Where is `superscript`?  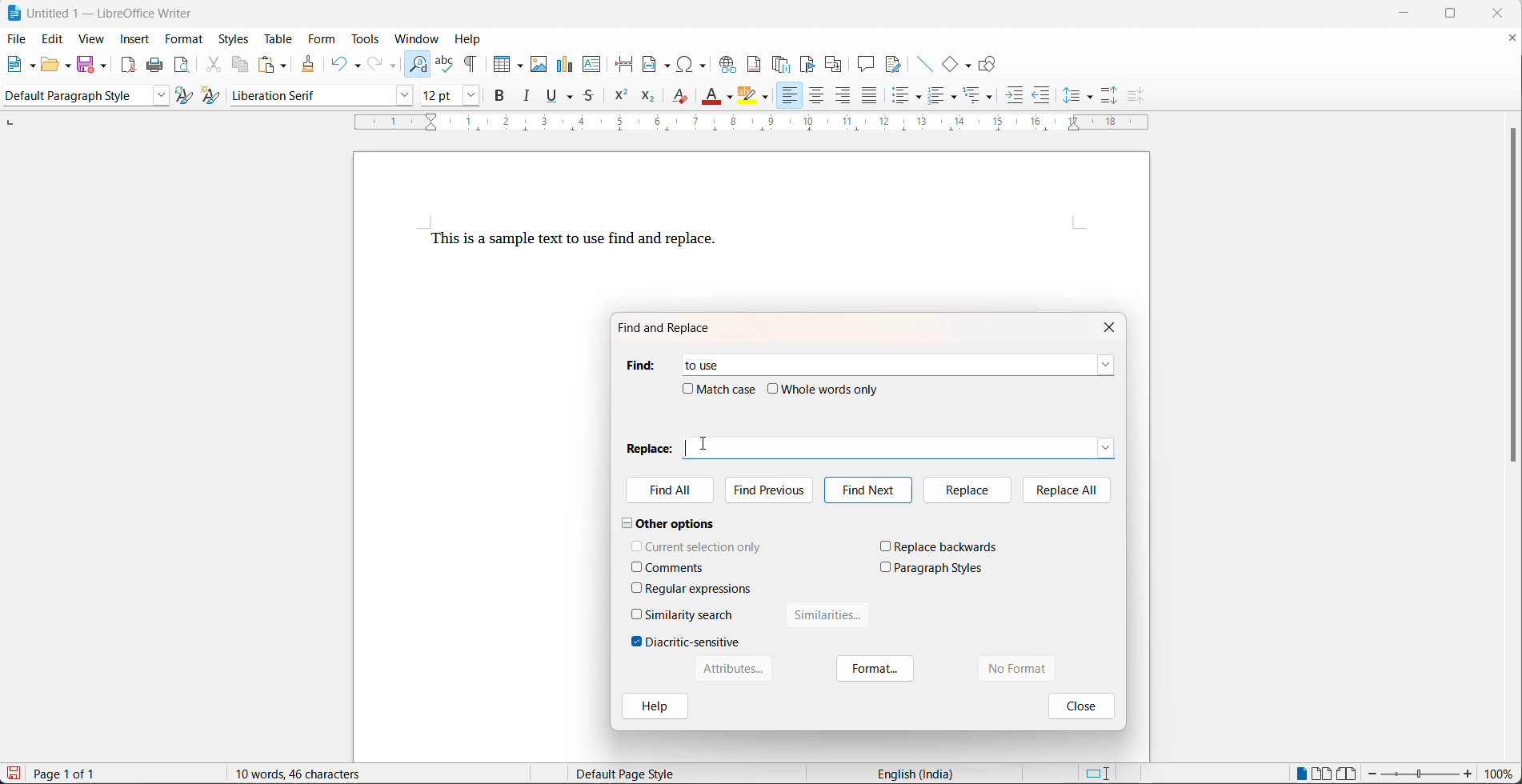 superscript is located at coordinates (620, 99).